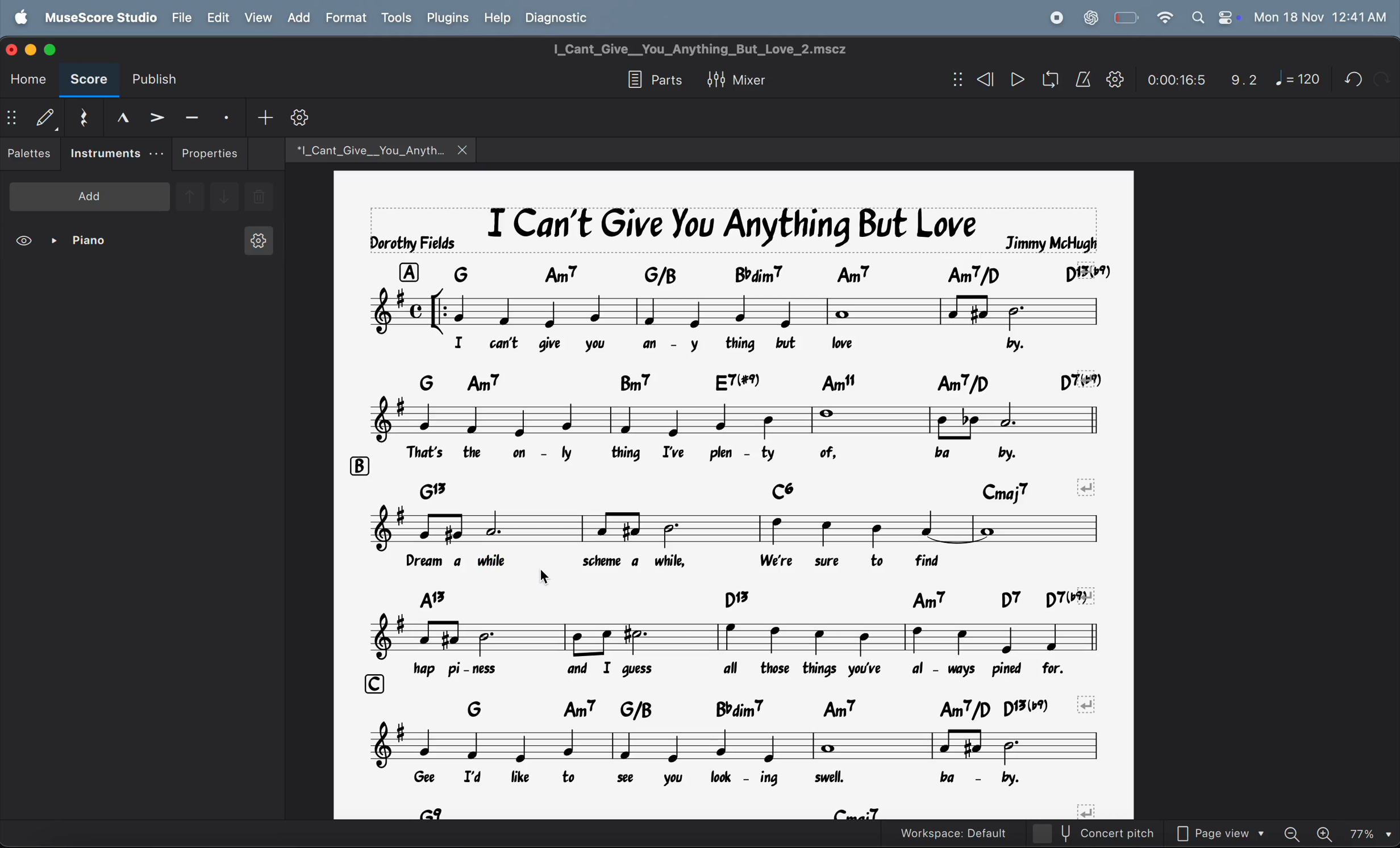 This screenshot has height=848, width=1400. I want to click on Lyrics: ; Measure: 9; Beat: 2; Staff 1 (Piano), so click(127, 832).